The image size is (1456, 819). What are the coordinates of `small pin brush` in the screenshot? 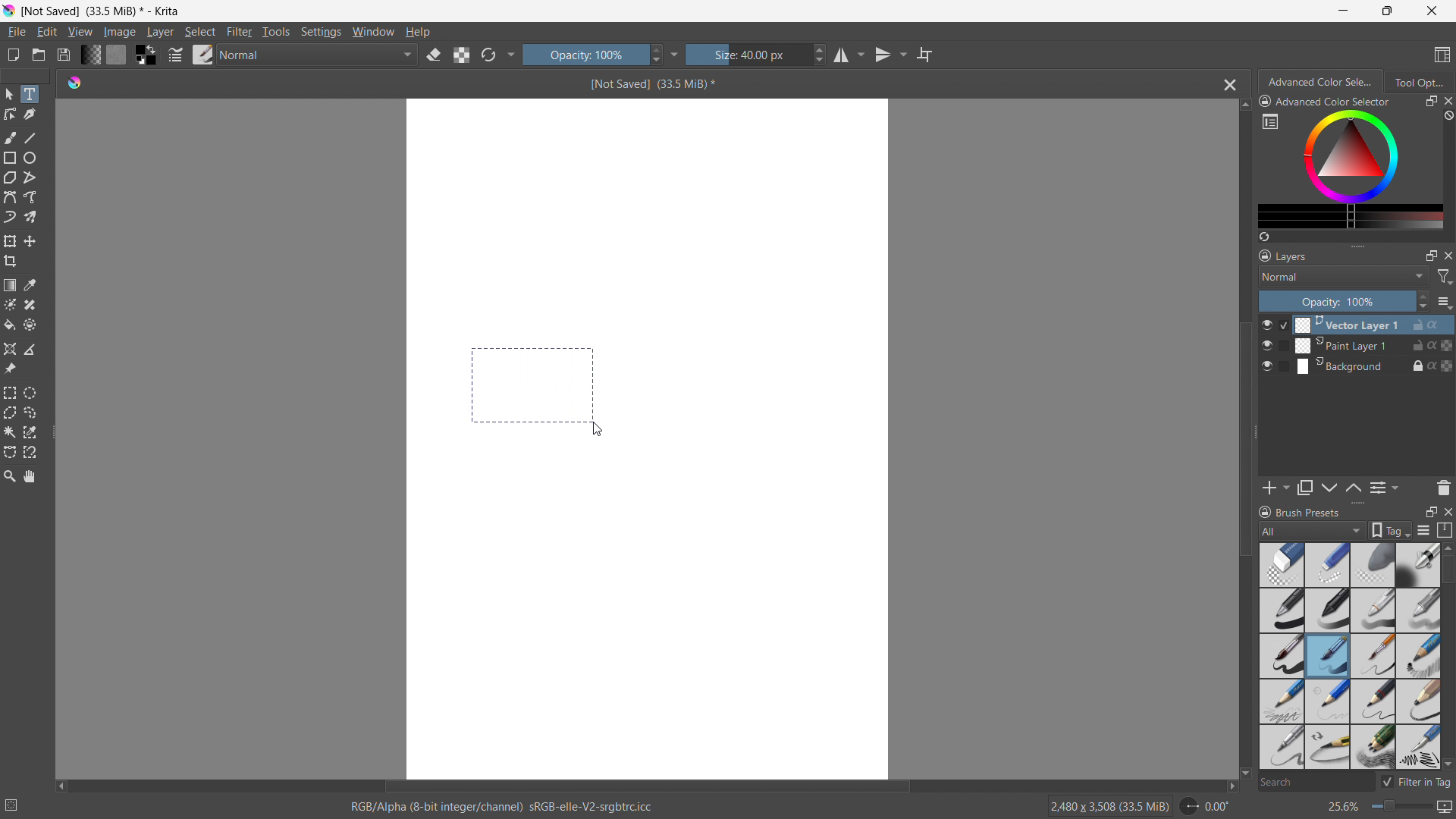 It's located at (1372, 657).